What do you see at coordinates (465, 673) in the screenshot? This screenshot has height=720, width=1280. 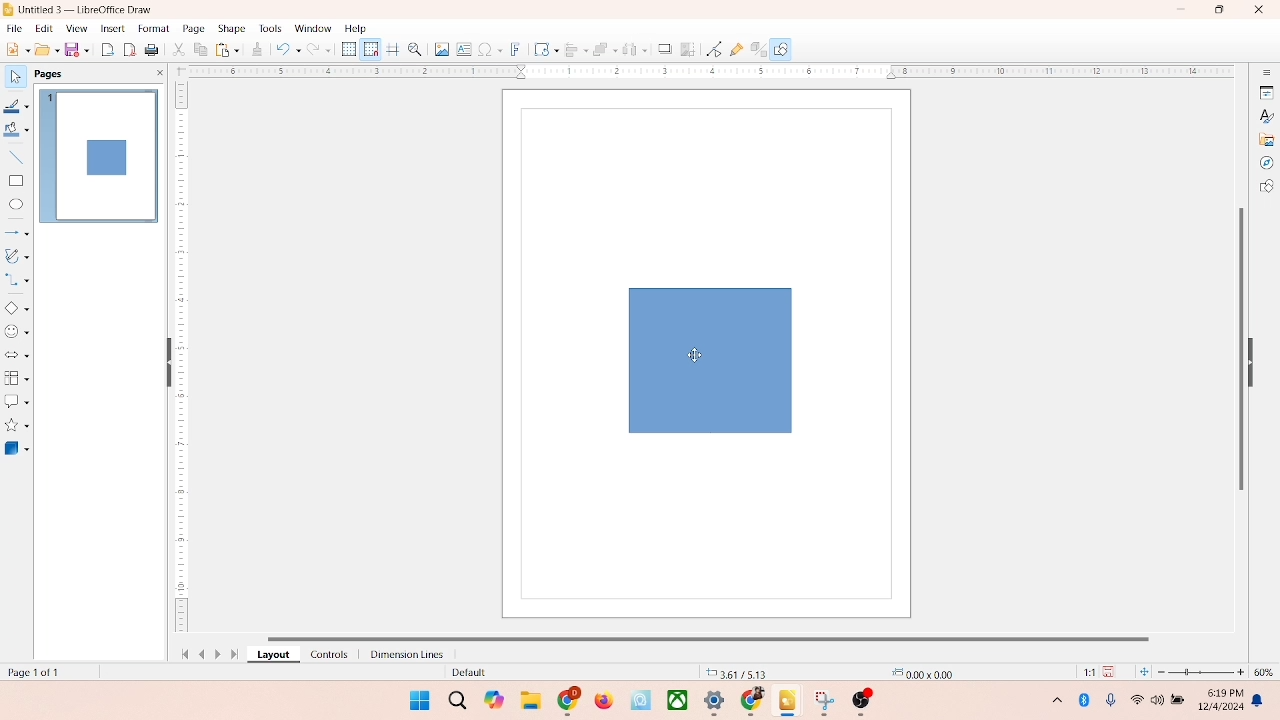 I see `default` at bounding box center [465, 673].